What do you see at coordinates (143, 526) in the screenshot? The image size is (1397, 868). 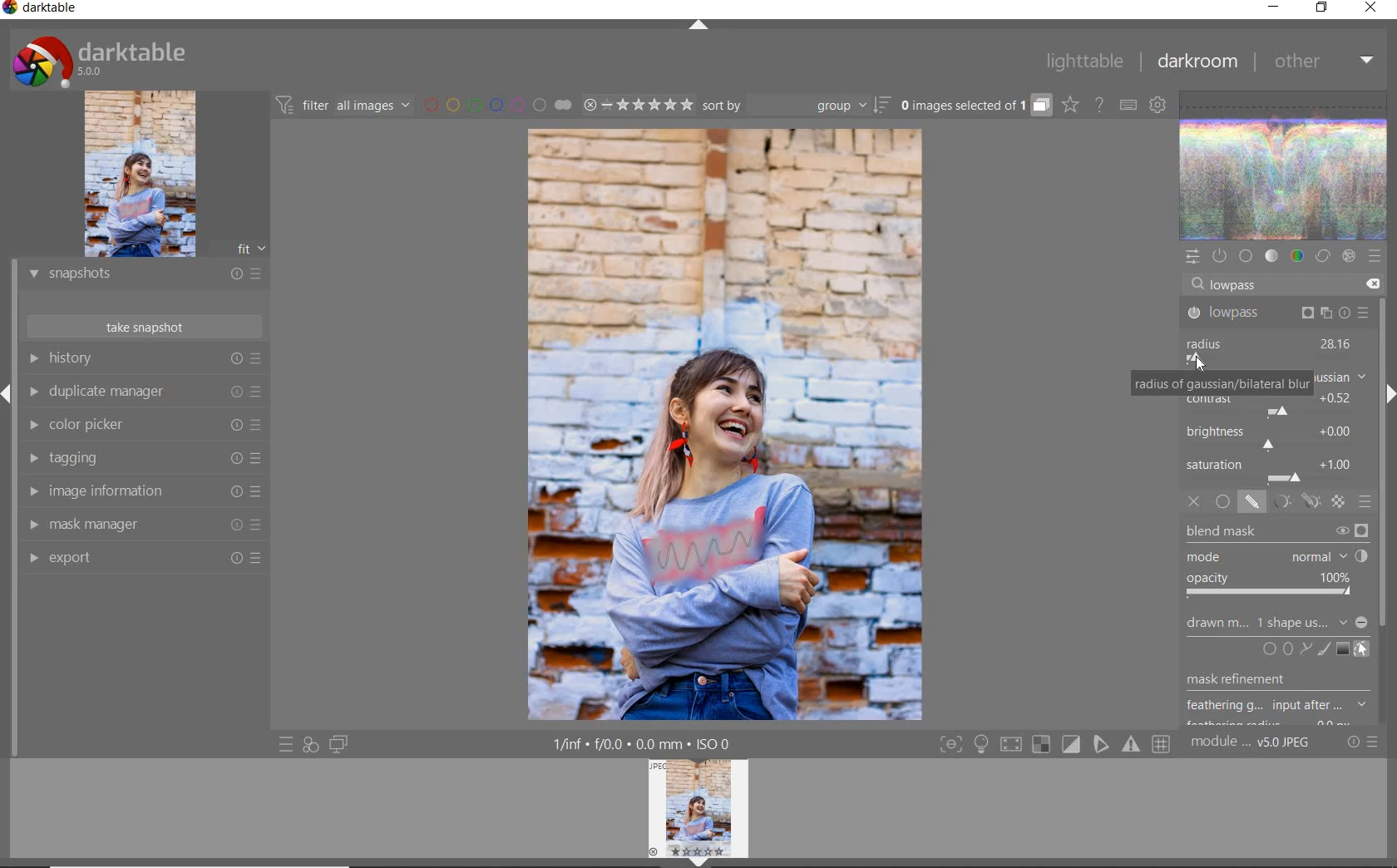 I see `mask manager` at bounding box center [143, 526].